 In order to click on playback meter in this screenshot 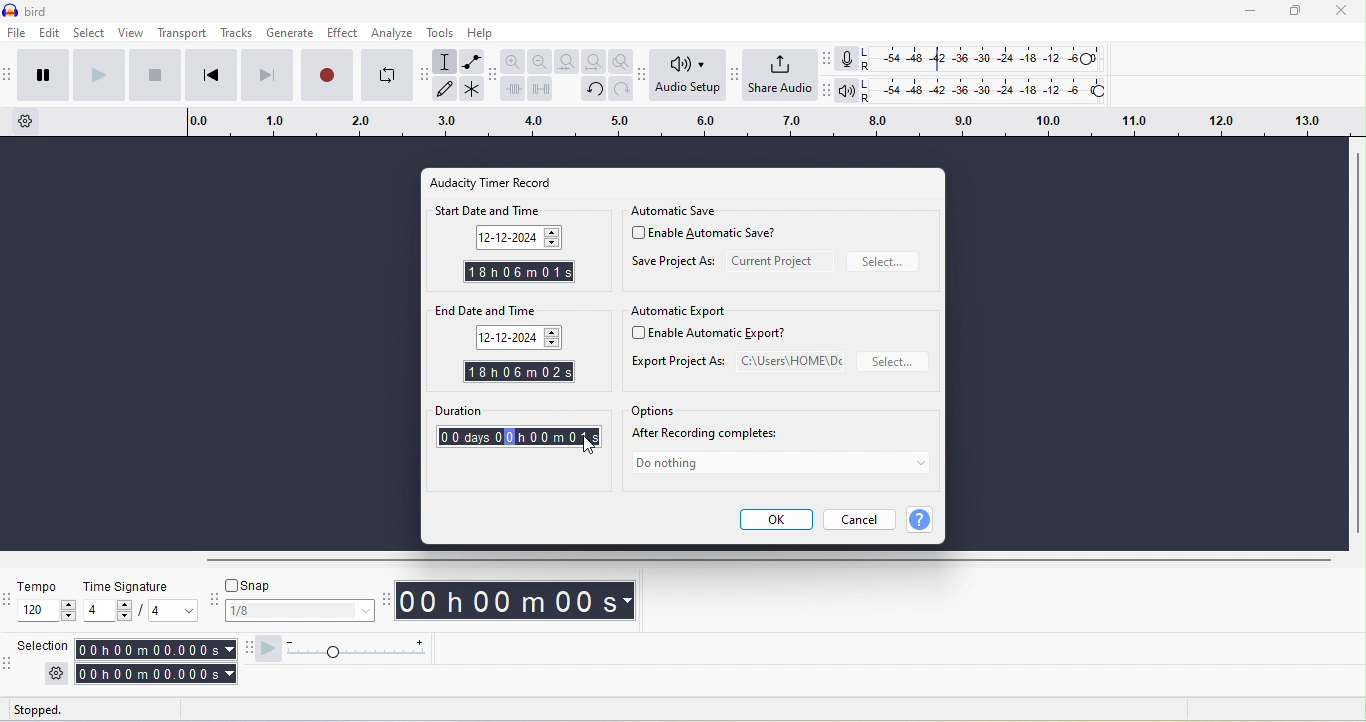, I will do `click(847, 94)`.